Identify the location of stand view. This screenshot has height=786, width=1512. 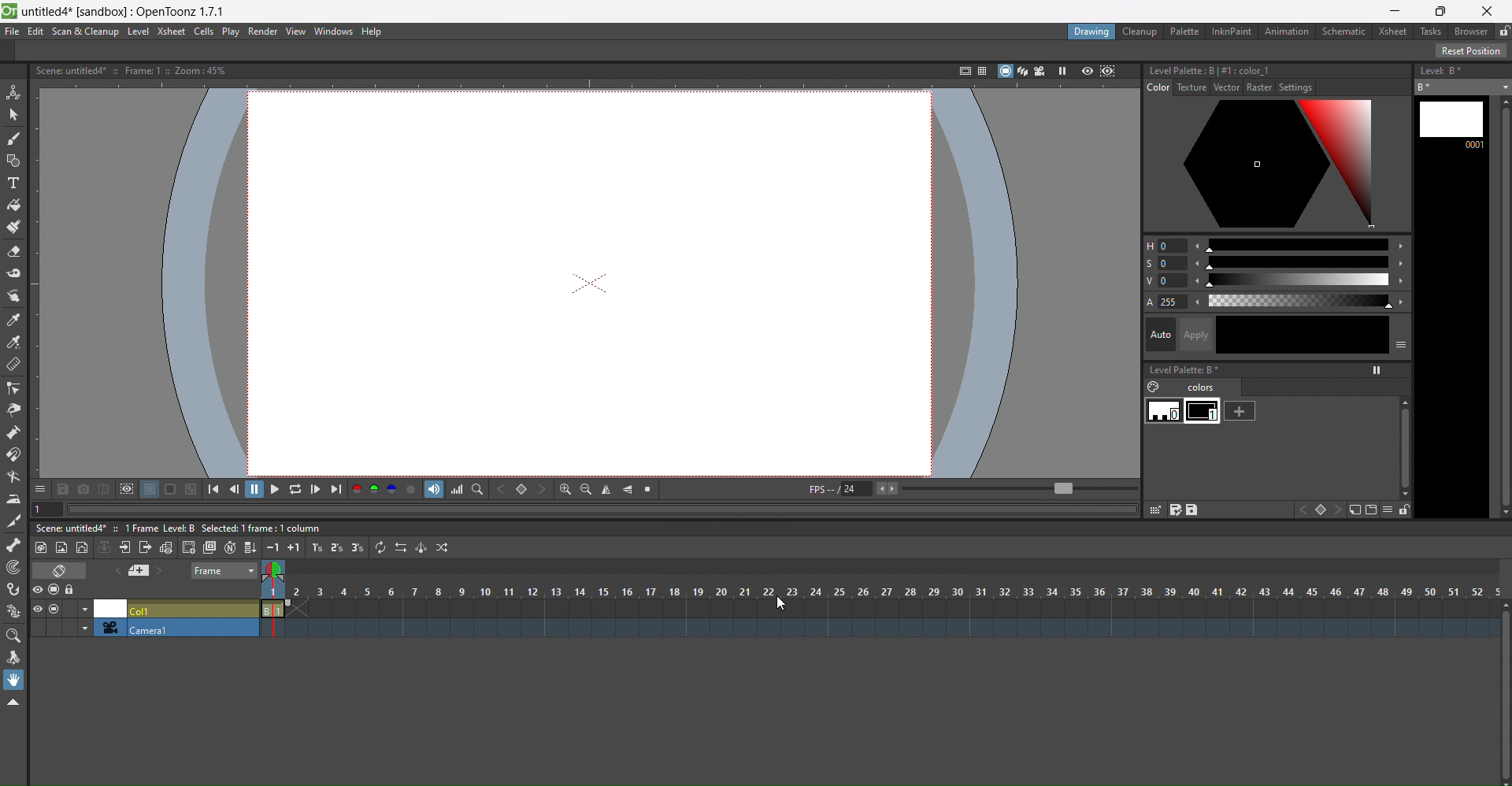
(1012, 72).